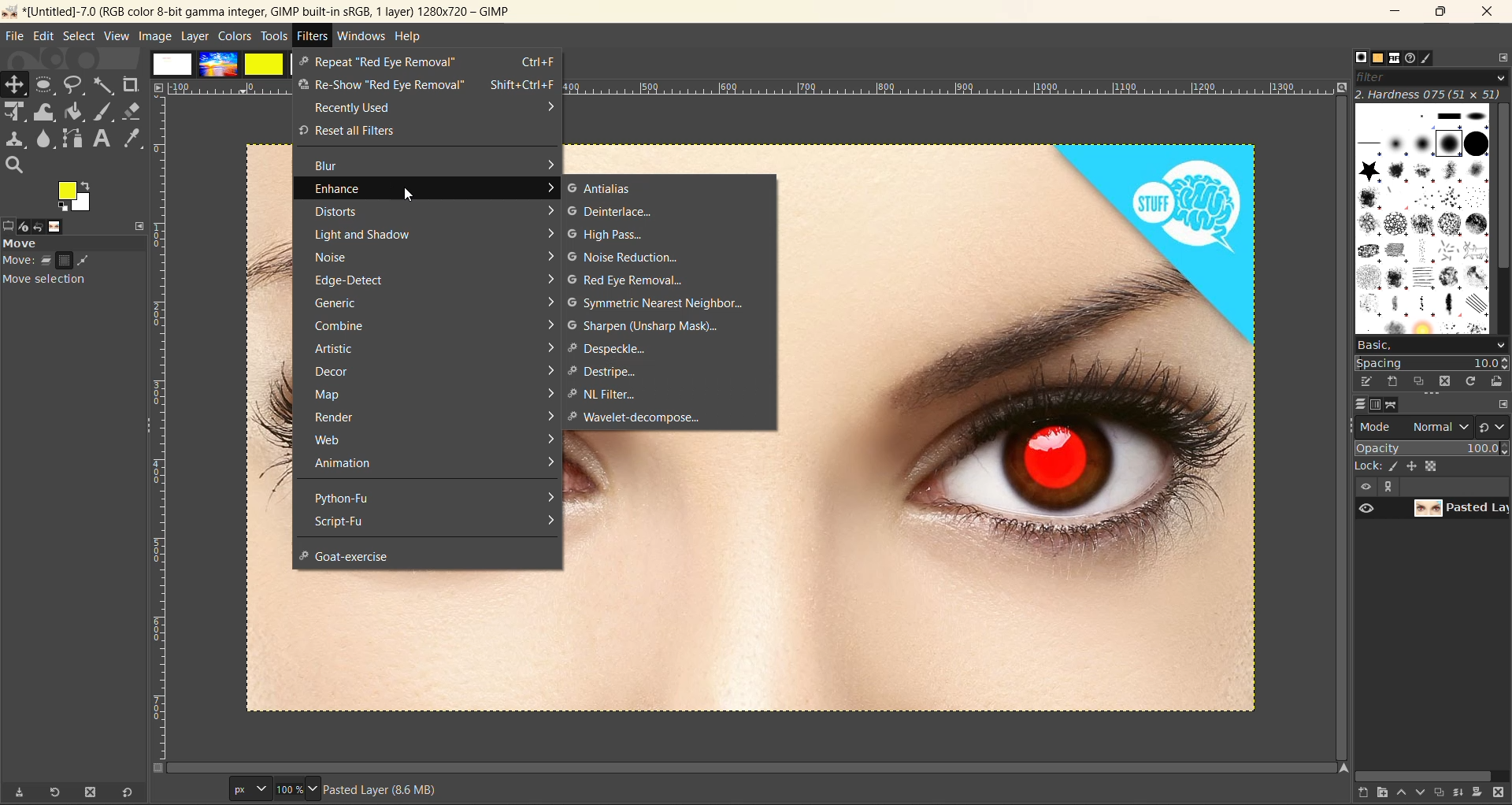  I want to click on symmetric nearest neighbour, so click(657, 304).